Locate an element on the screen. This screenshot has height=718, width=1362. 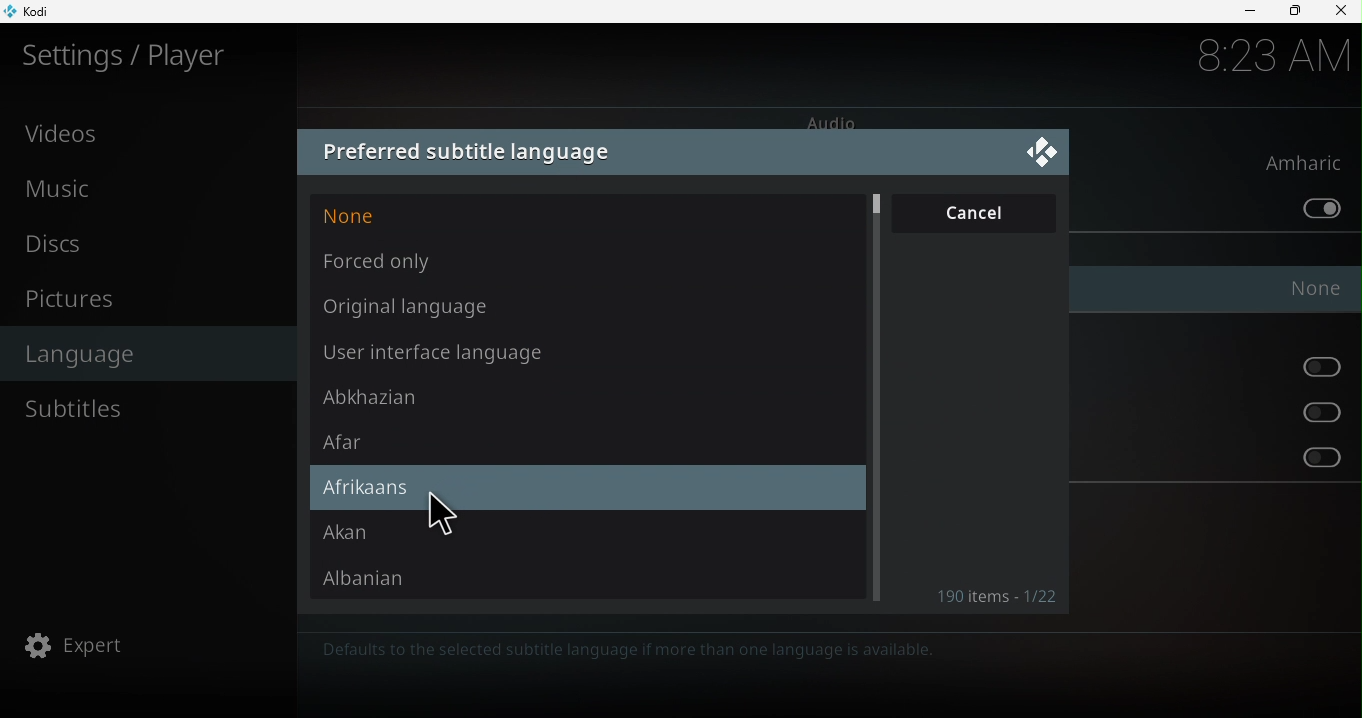
Prefer default audio stream is located at coordinates (1317, 207).